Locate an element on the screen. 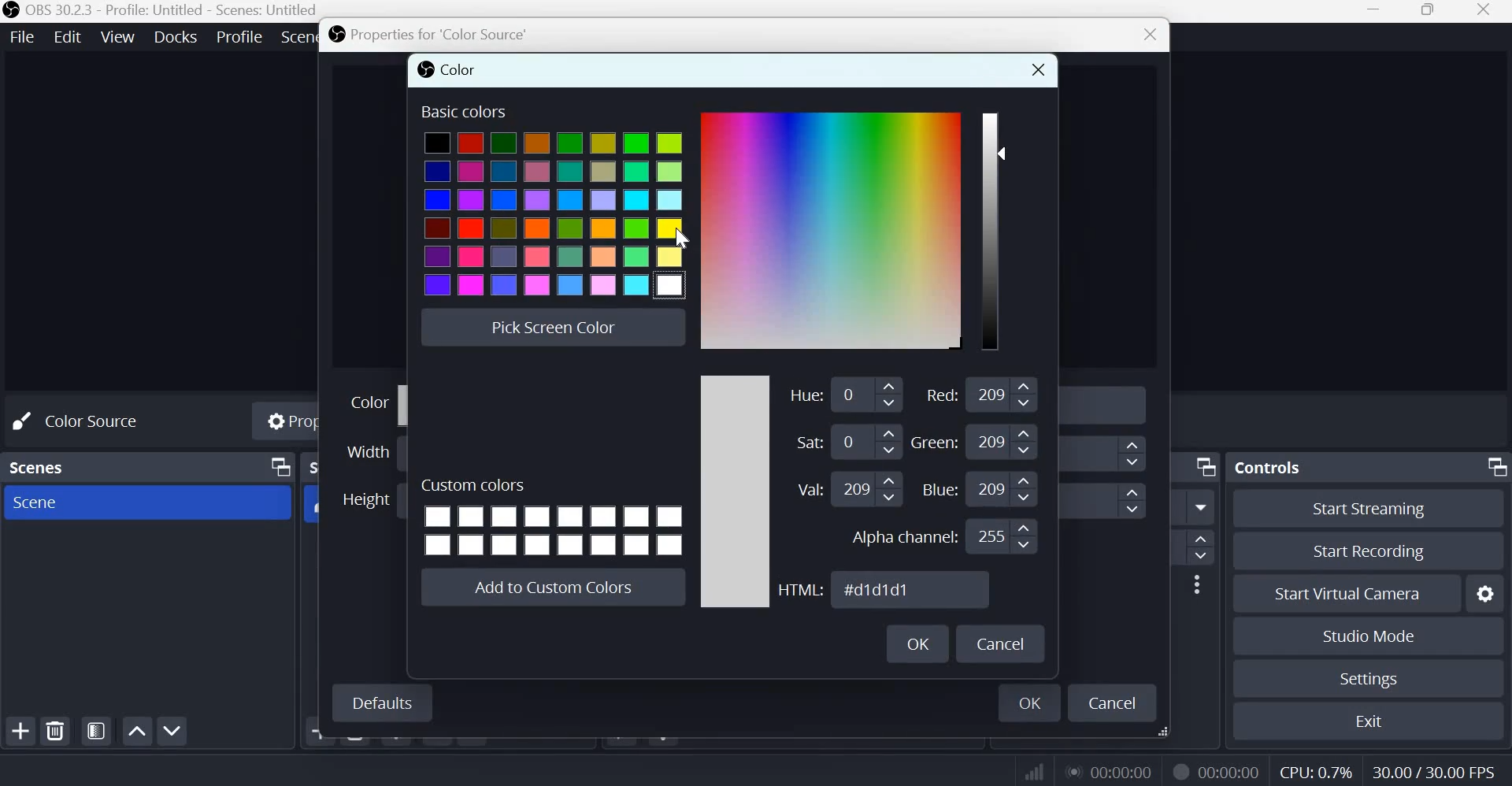 This screenshot has height=786, width=1512. Input  is located at coordinates (1005, 443).